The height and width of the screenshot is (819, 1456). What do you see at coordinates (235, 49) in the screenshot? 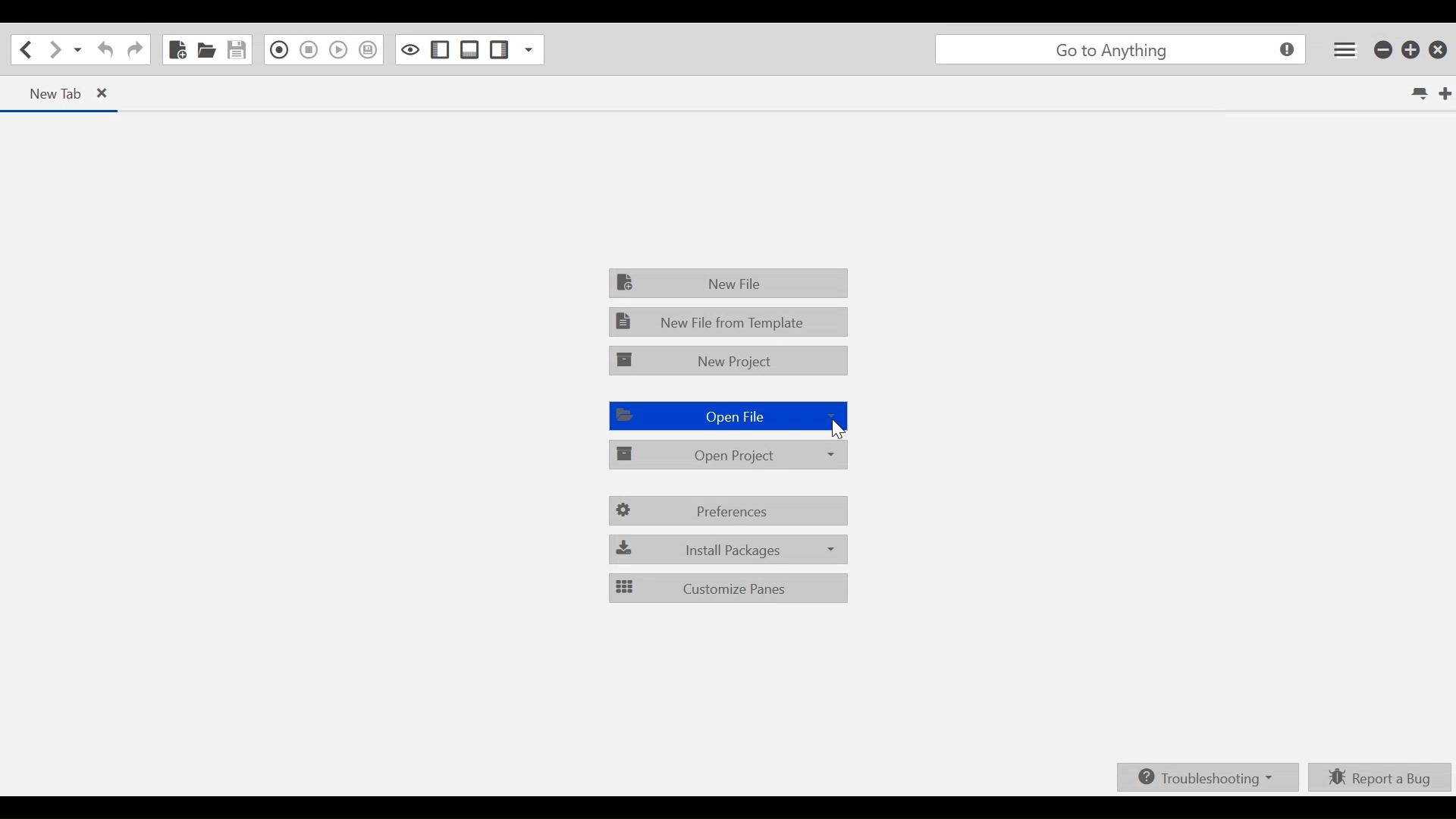
I see `Save` at bounding box center [235, 49].